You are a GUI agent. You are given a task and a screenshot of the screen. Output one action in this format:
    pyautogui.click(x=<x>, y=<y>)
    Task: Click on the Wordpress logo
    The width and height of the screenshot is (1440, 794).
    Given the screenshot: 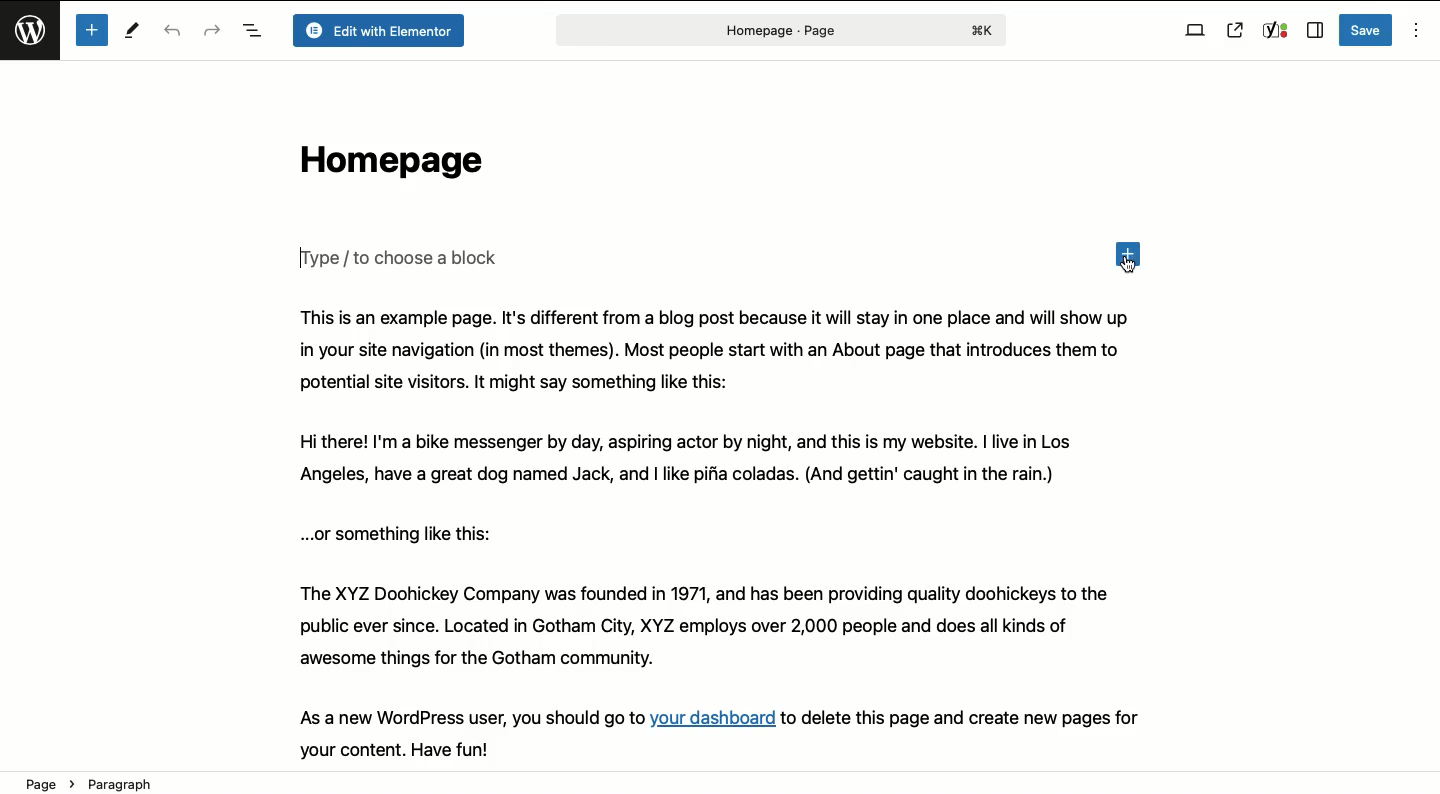 What is the action you would take?
    pyautogui.click(x=33, y=39)
    